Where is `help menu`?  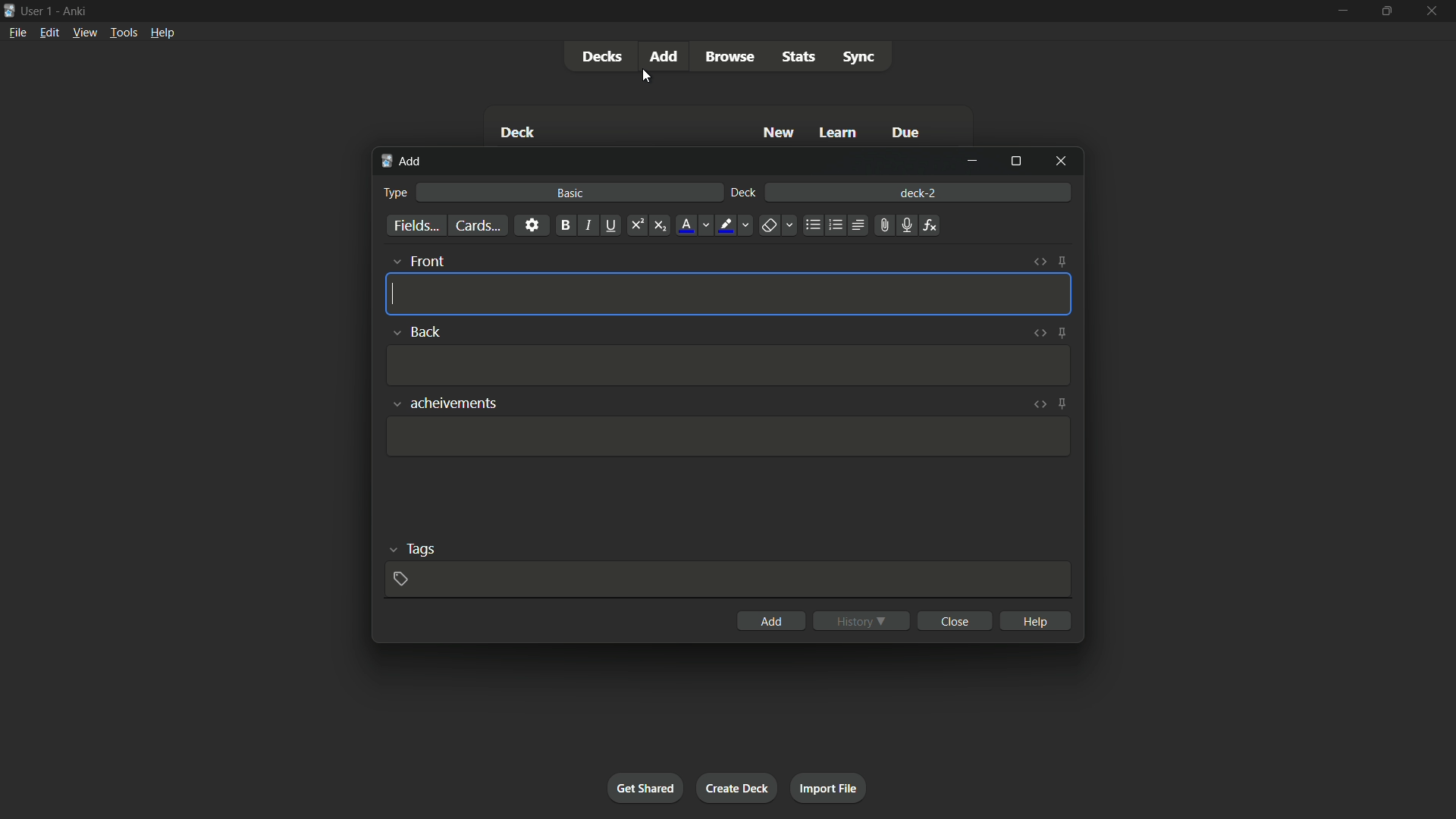
help menu is located at coordinates (164, 32).